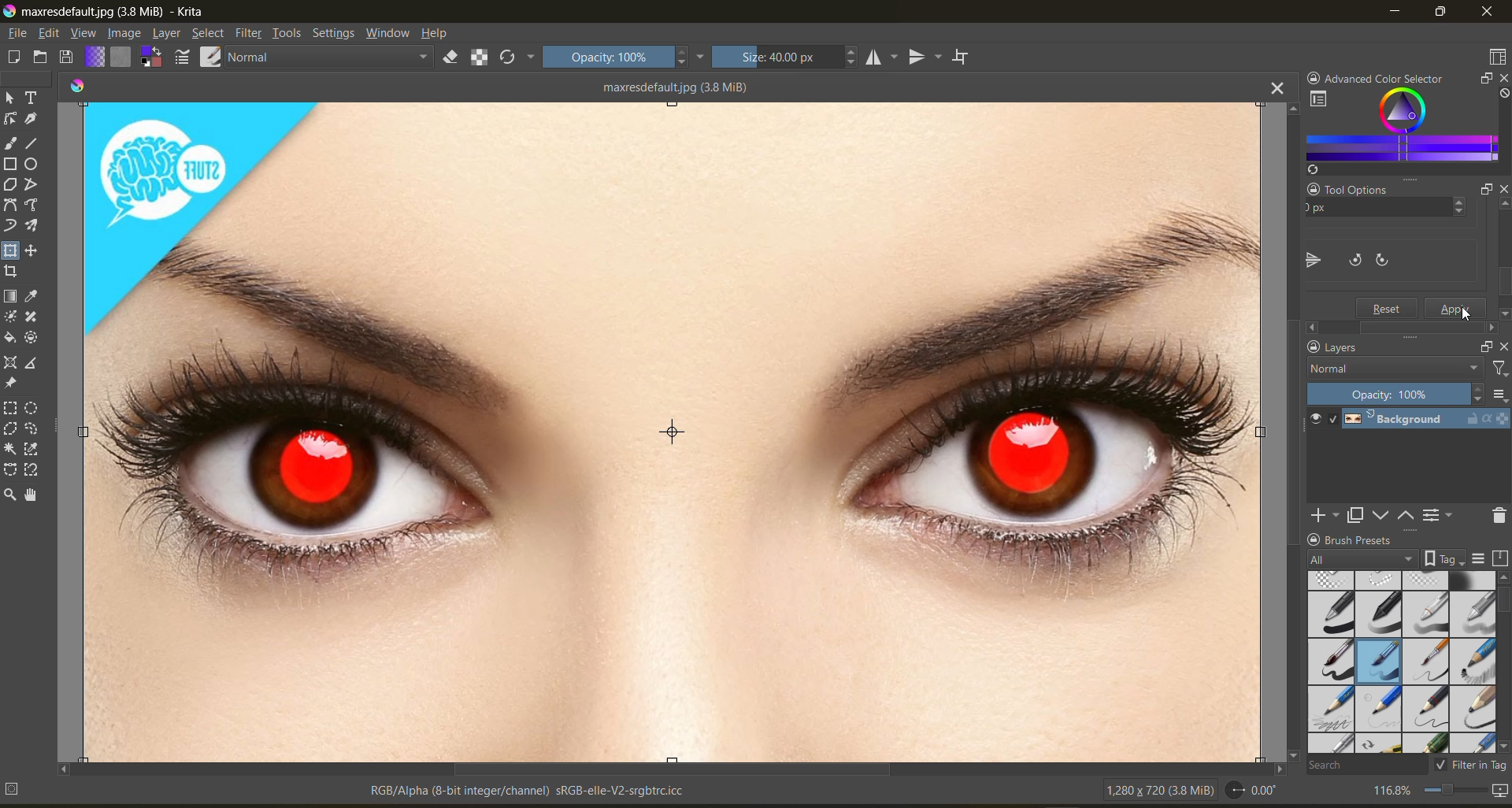 This screenshot has height=808, width=1512. Describe the element at coordinates (9, 317) in the screenshot. I see `tool` at that location.